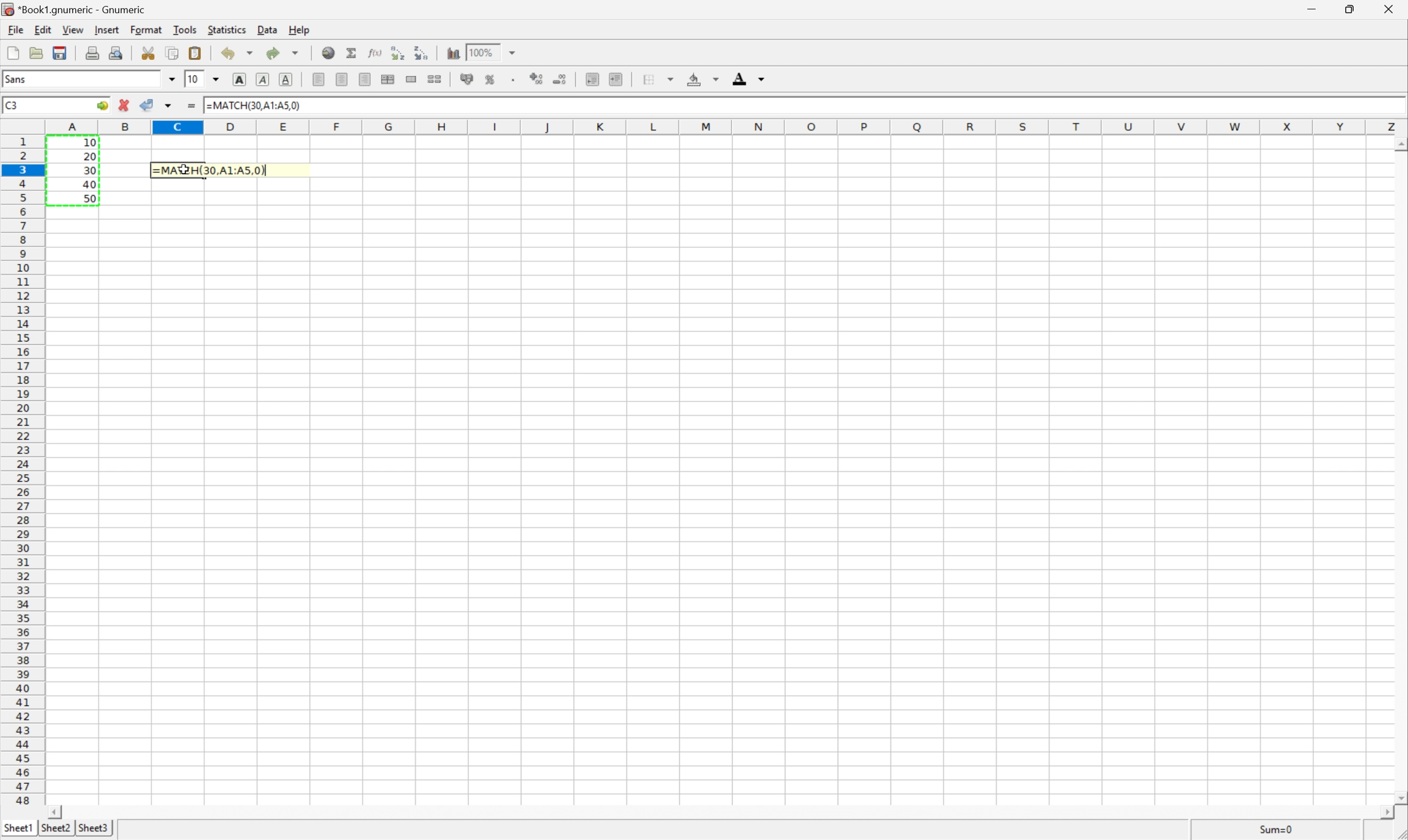 Image resolution: width=1408 pixels, height=840 pixels. What do you see at coordinates (725, 126) in the screenshot?
I see `Column names` at bounding box center [725, 126].